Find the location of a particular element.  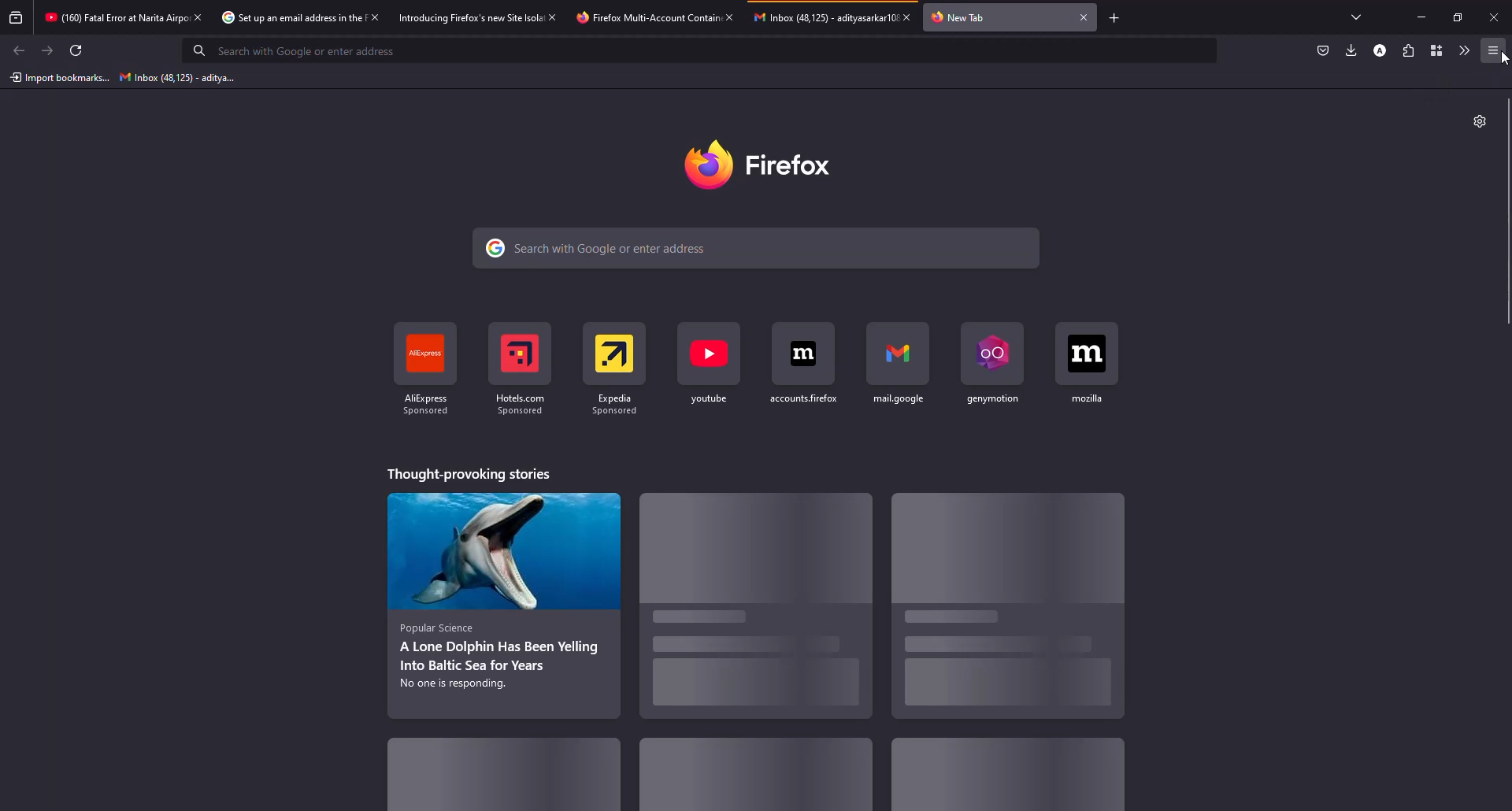

stories is located at coordinates (766, 614).